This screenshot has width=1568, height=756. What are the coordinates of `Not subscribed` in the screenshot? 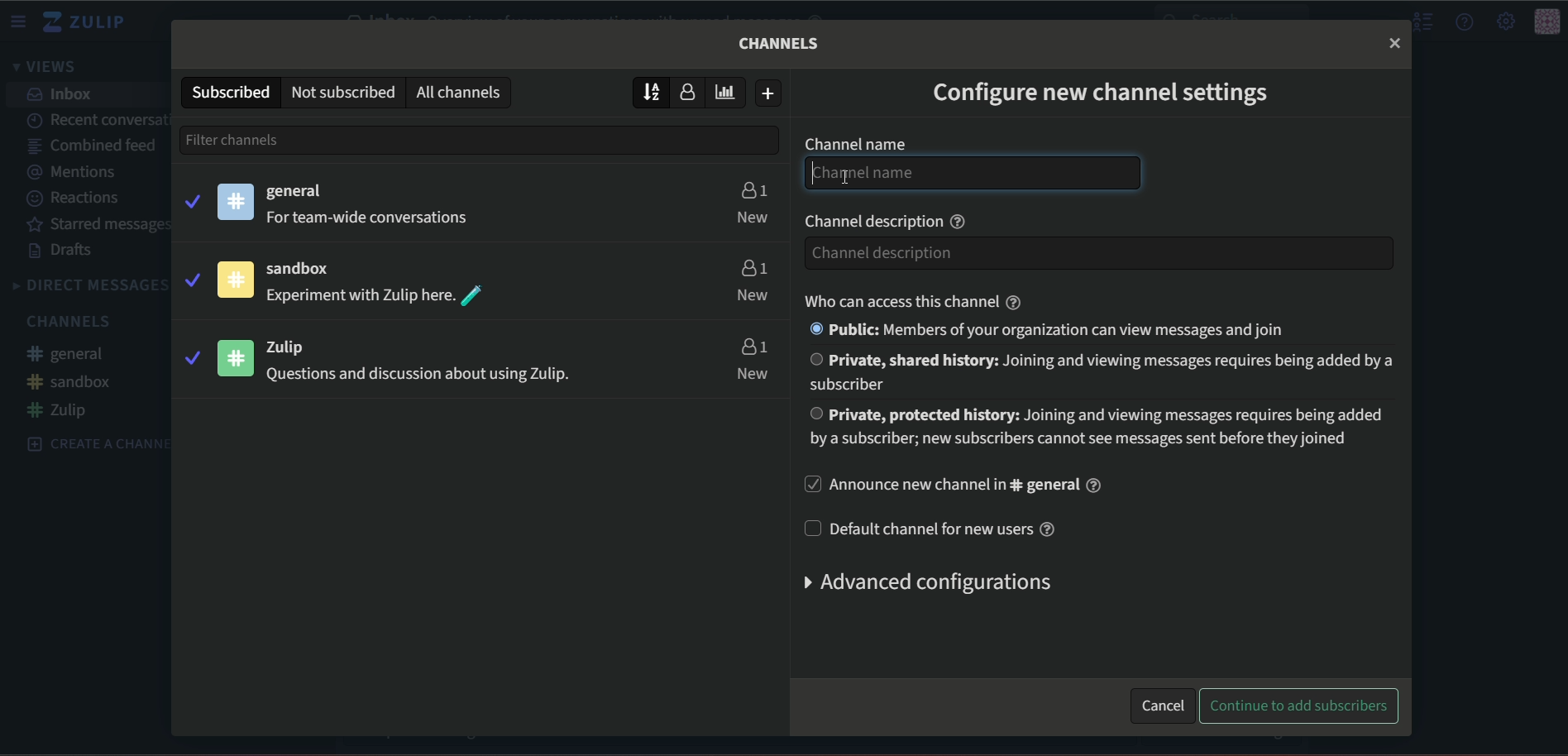 It's located at (342, 91).